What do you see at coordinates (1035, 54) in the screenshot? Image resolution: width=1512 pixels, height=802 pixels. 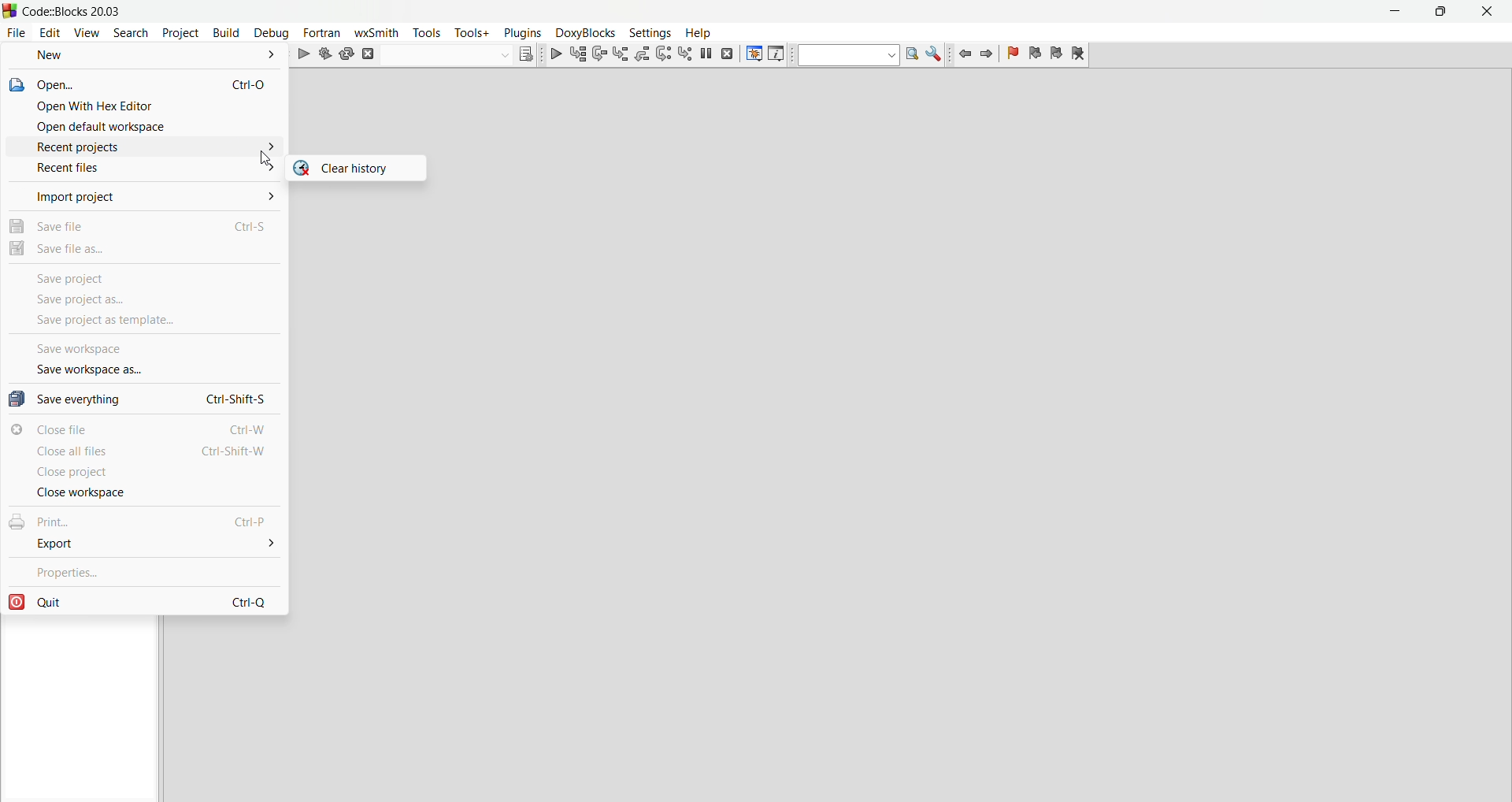 I see `previous bookmark` at bounding box center [1035, 54].